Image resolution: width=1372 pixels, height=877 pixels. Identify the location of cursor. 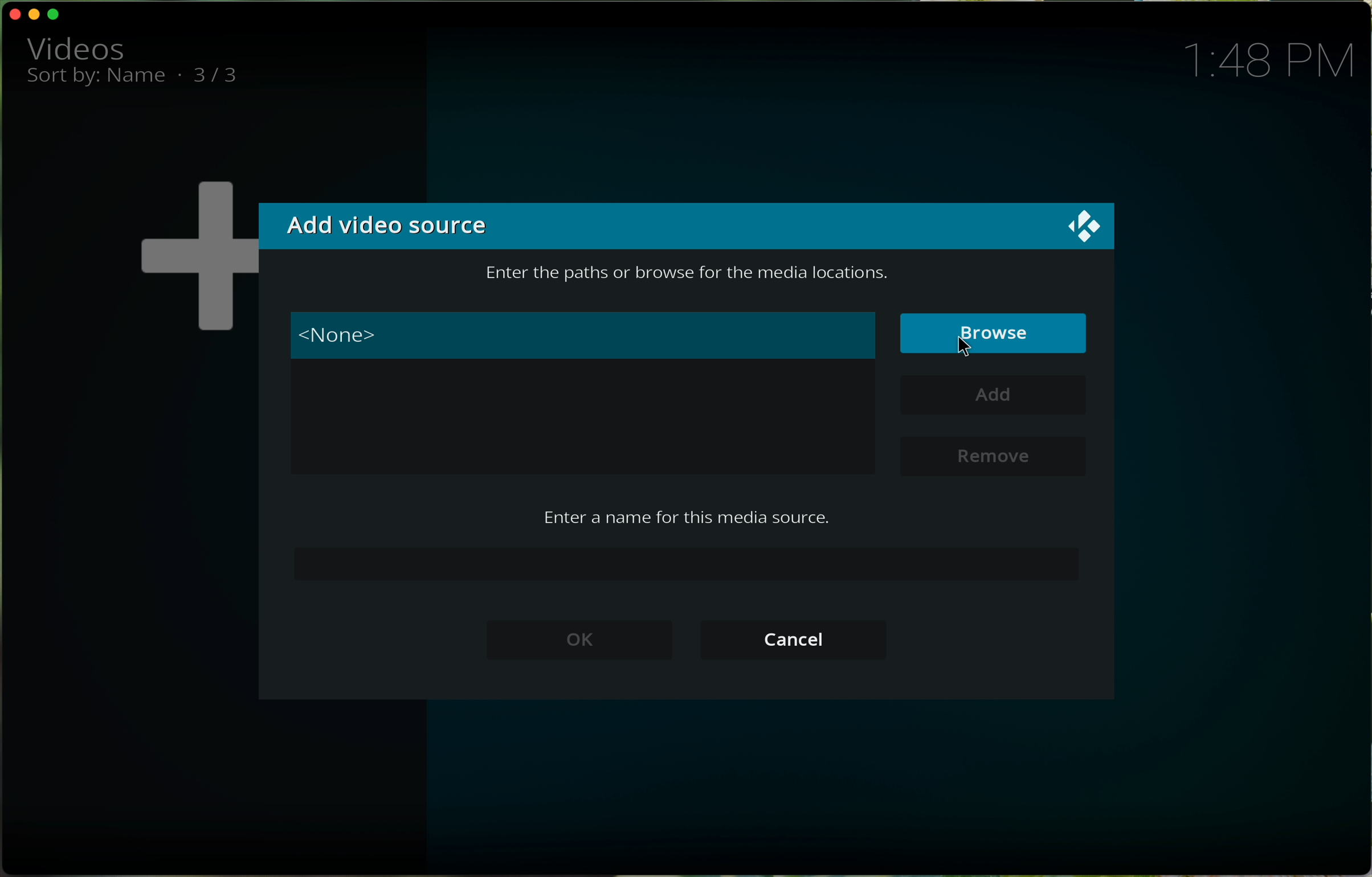
(967, 346).